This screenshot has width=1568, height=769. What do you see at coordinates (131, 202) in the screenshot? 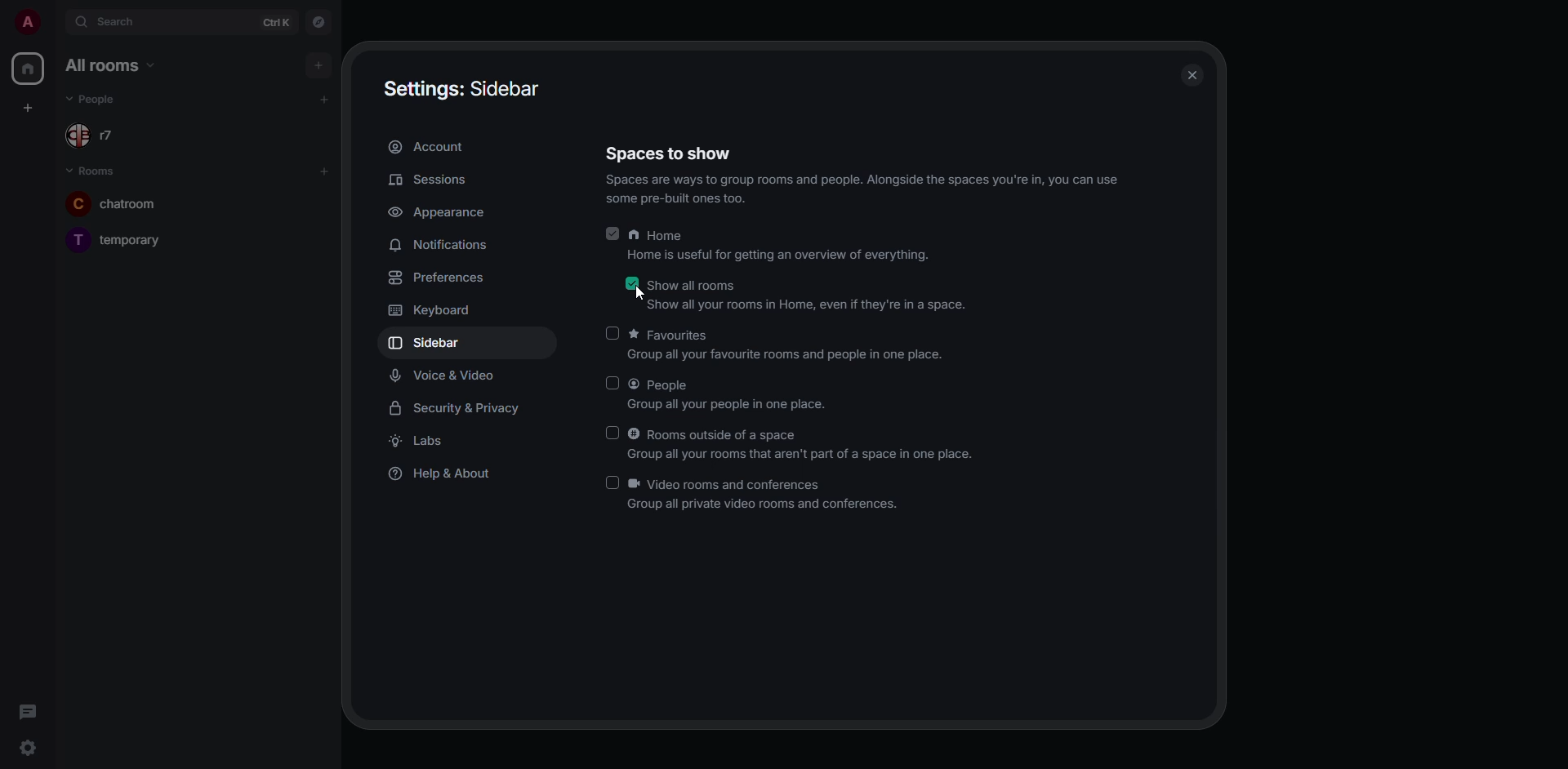
I see `chatroom` at bounding box center [131, 202].